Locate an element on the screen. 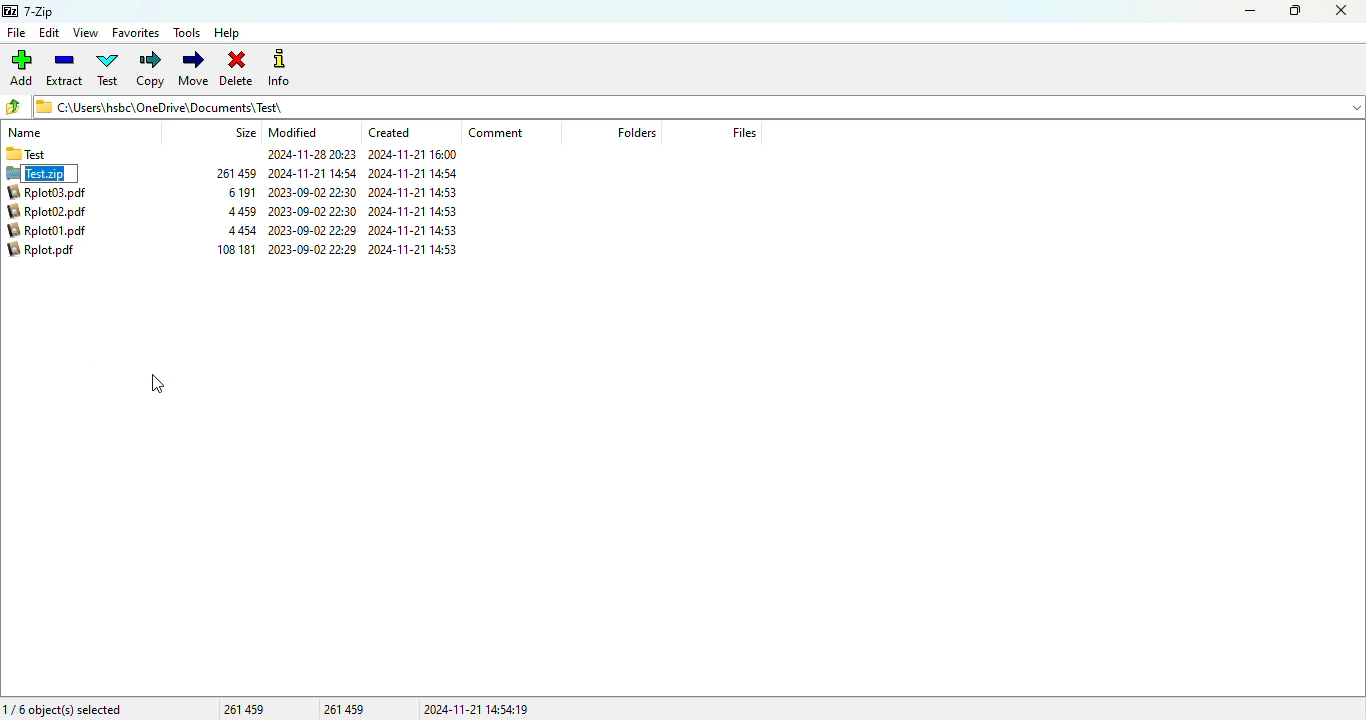 The image size is (1366, 720). comment is located at coordinates (496, 133).